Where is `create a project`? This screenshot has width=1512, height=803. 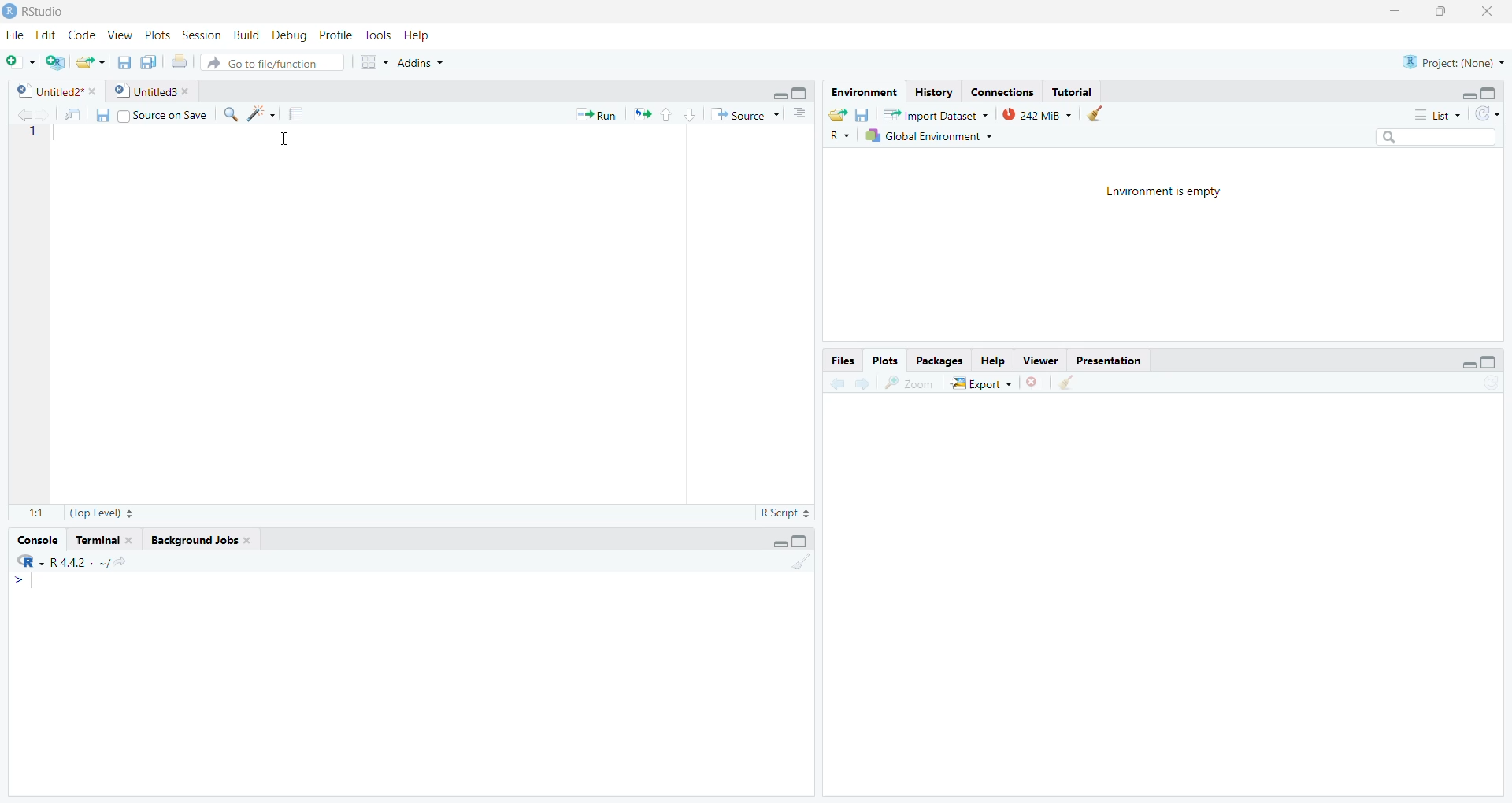
create a project is located at coordinates (54, 61).